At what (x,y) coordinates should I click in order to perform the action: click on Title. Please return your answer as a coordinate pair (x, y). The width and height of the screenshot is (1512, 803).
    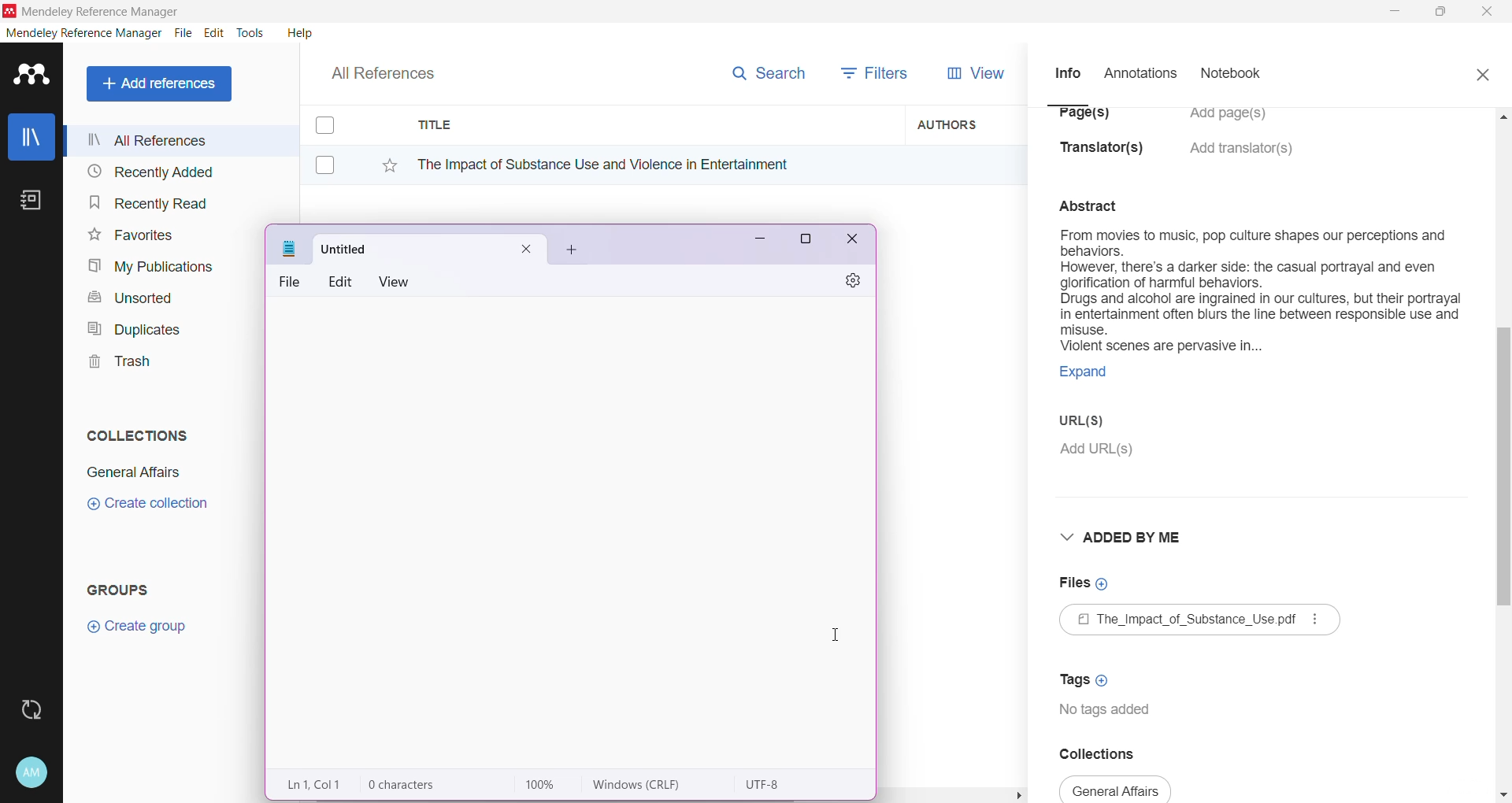
    Looking at the image, I should click on (654, 125).